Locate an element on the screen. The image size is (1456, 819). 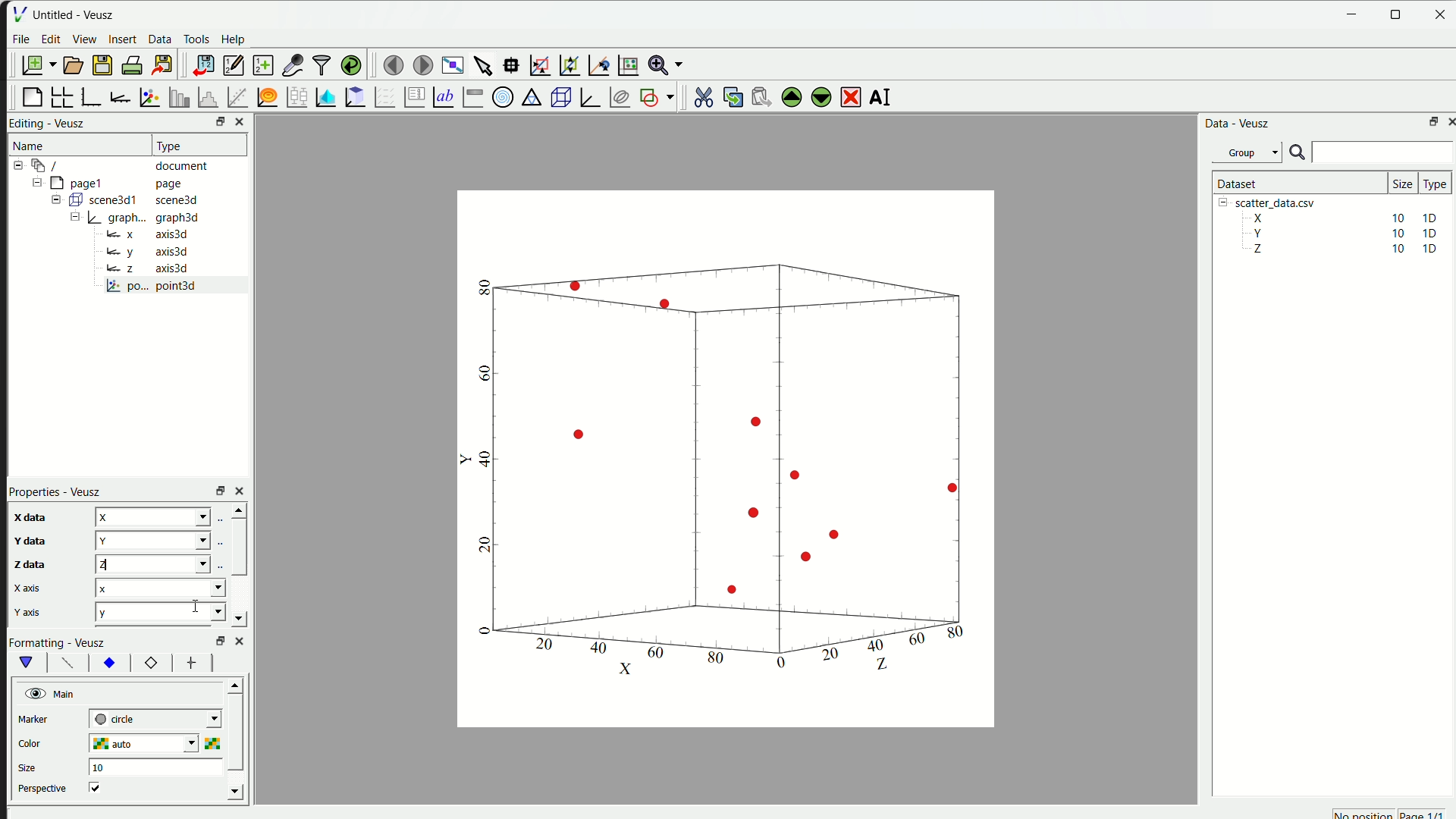
Group  is located at coordinates (1247, 154).